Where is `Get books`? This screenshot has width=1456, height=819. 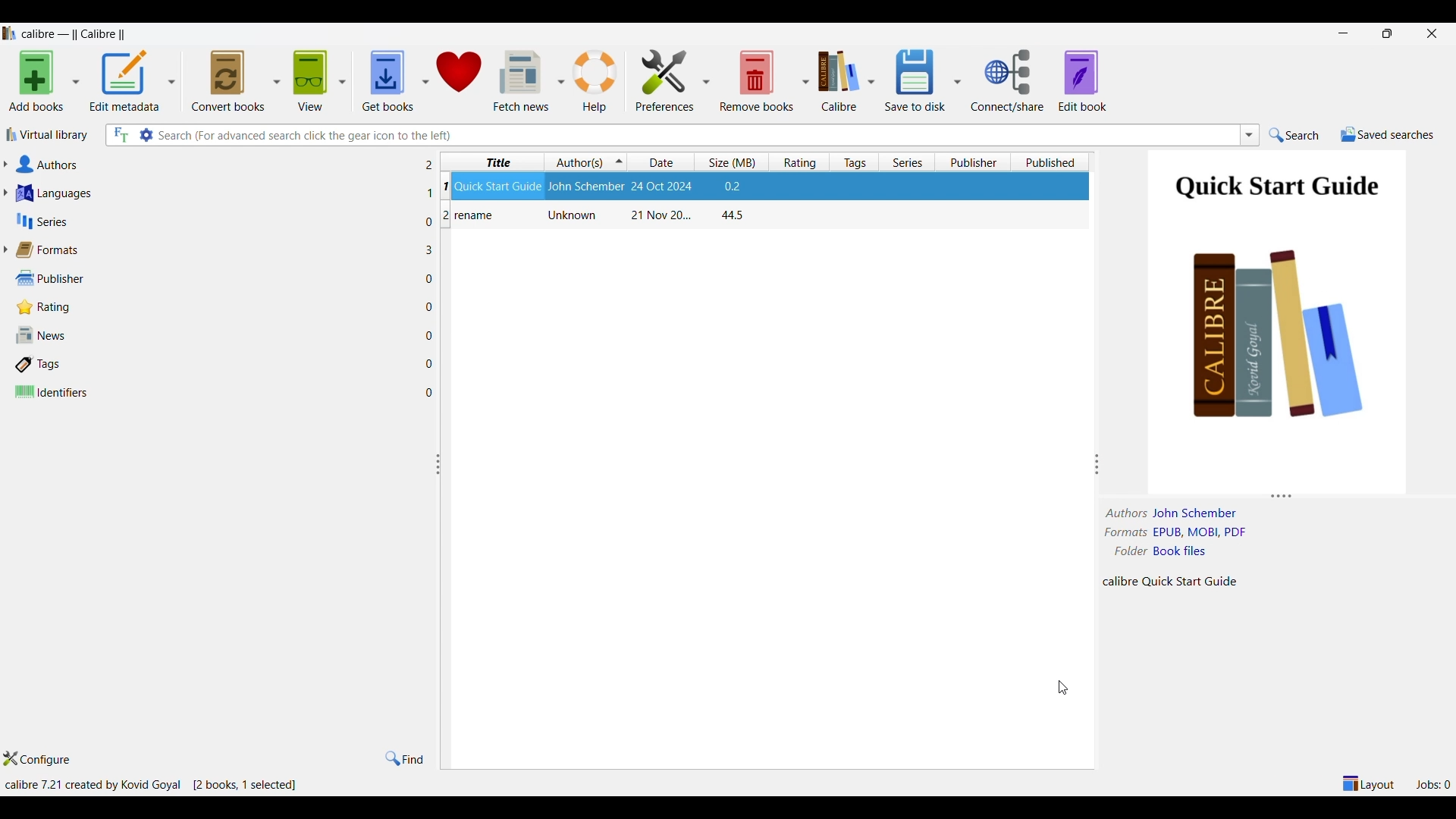 Get books is located at coordinates (385, 81).